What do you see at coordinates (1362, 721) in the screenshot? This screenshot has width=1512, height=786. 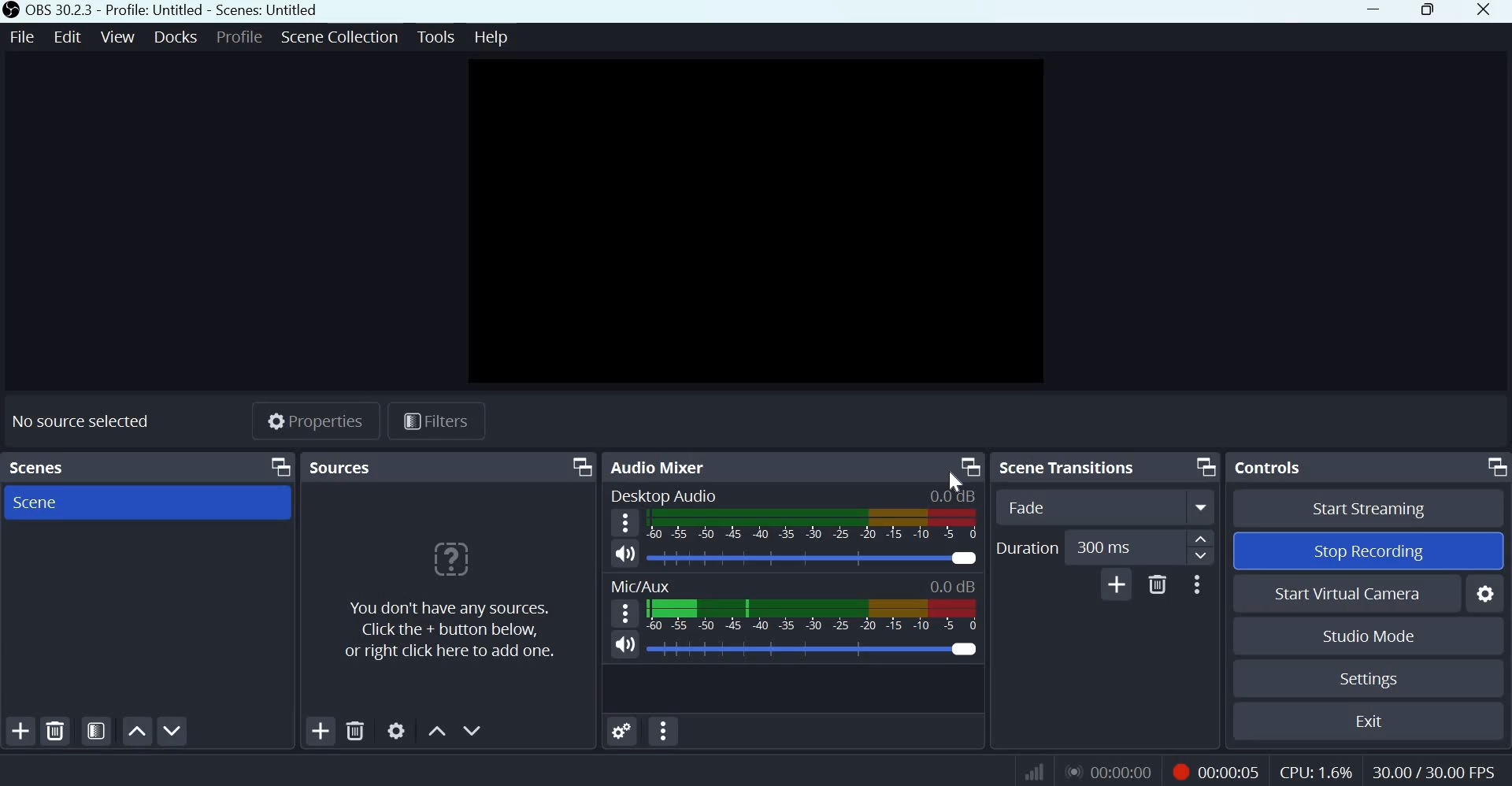 I see `Exit` at bounding box center [1362, 721].